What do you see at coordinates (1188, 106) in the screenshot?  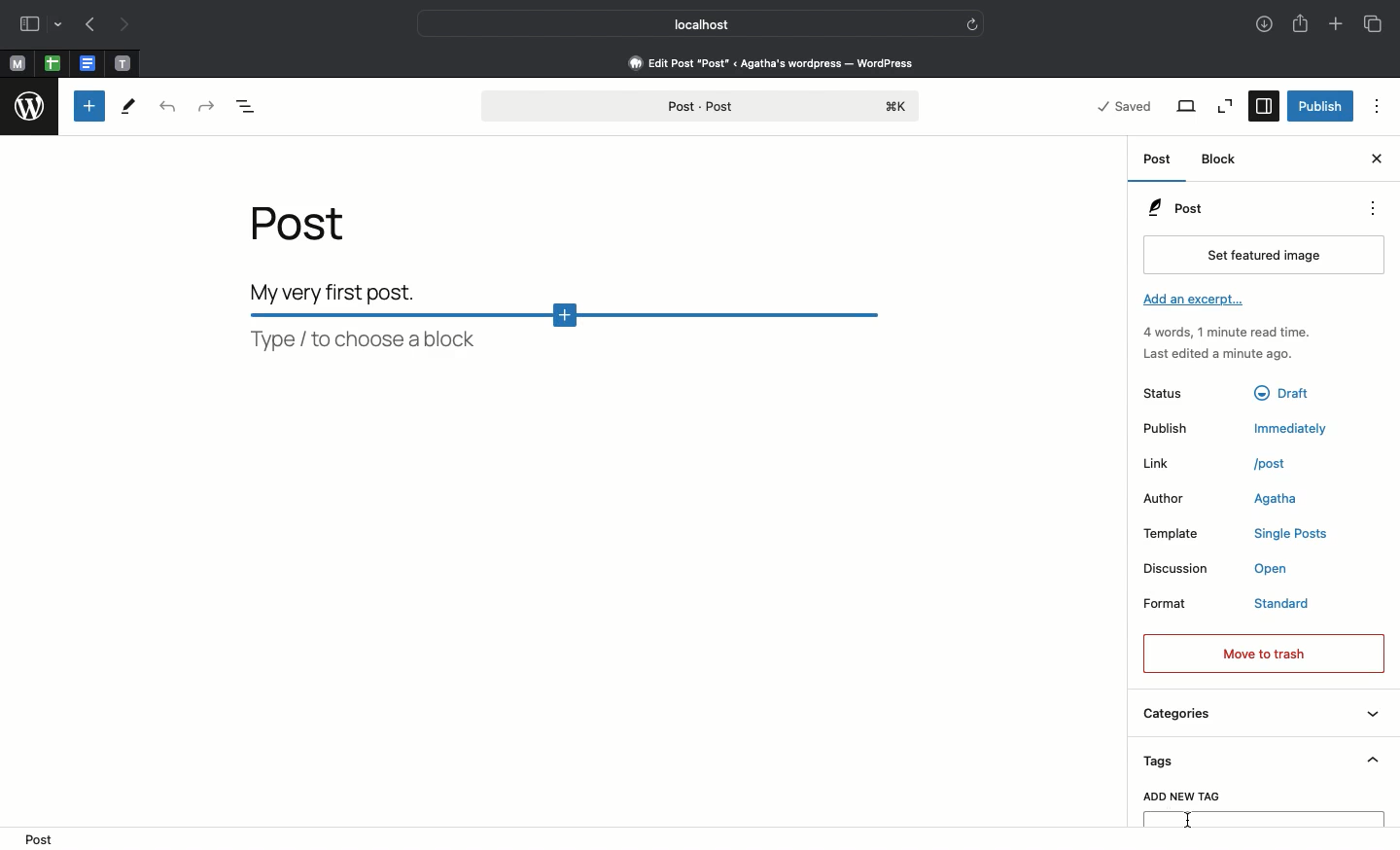 I see `View` at bounding box center [1188, 106].